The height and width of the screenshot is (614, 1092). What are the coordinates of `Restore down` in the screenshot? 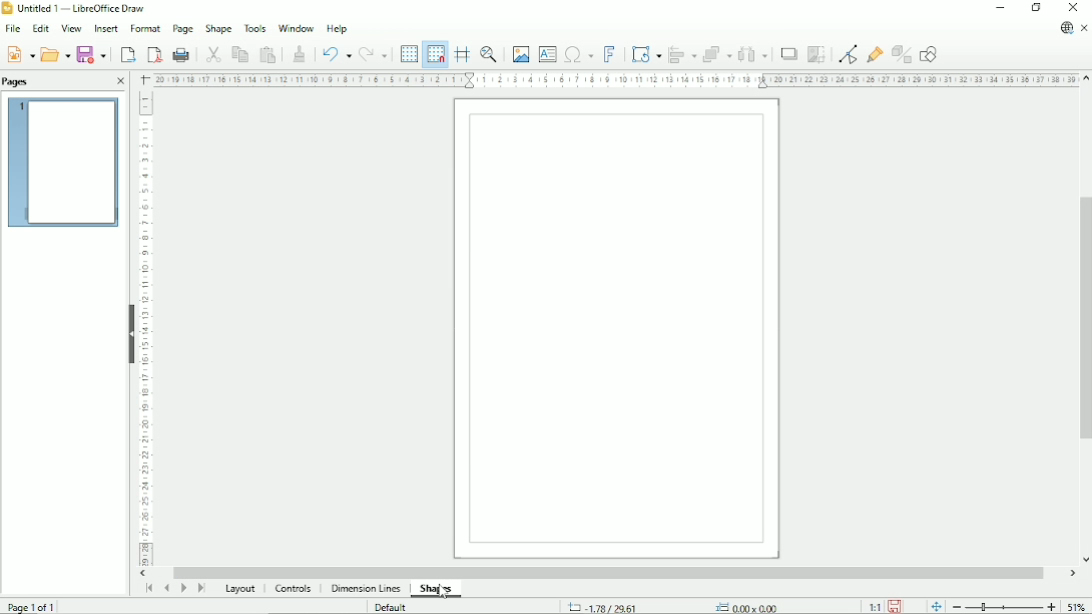 It's located at (1035, 9).